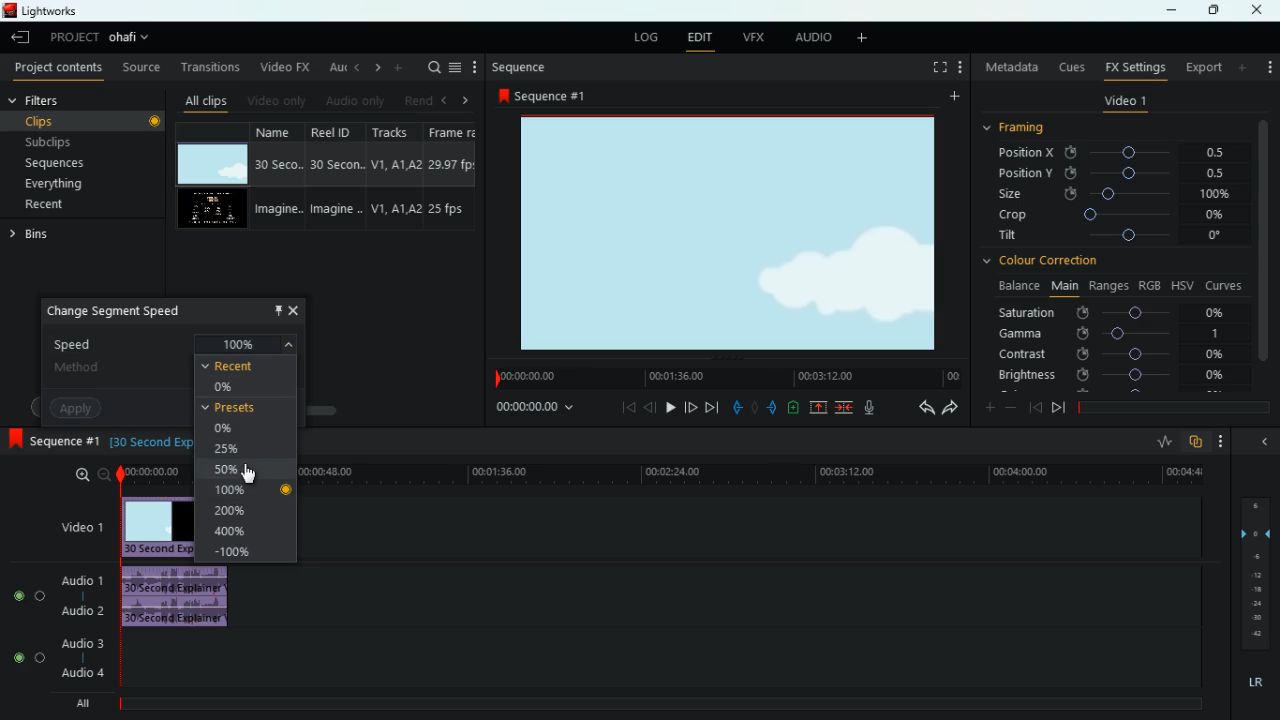  Describe the element at coordinates (1224, 284) in the screenshot. I see `curves` at that location.